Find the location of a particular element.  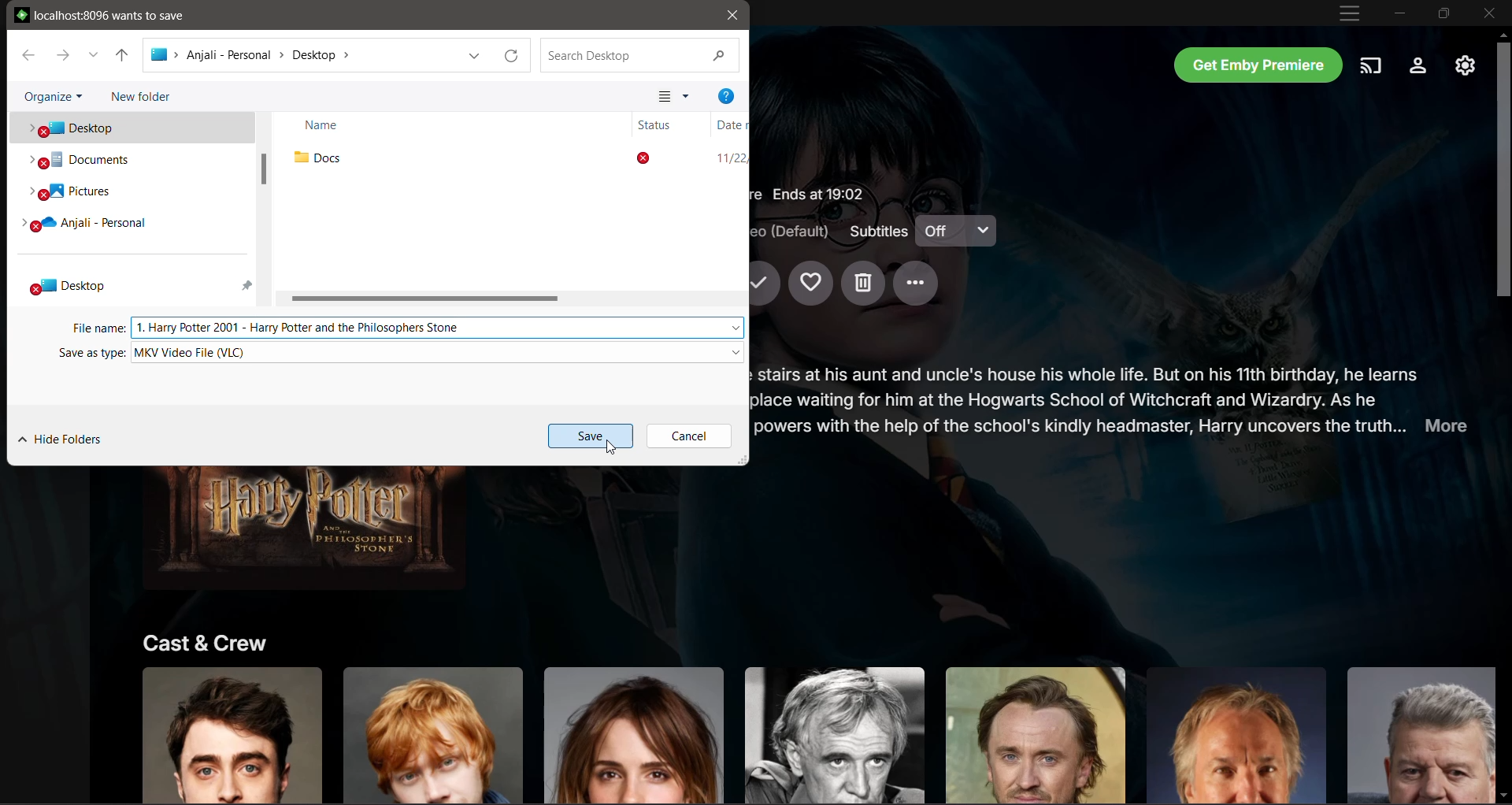

Set the video type is located at coordinates (437, 354).